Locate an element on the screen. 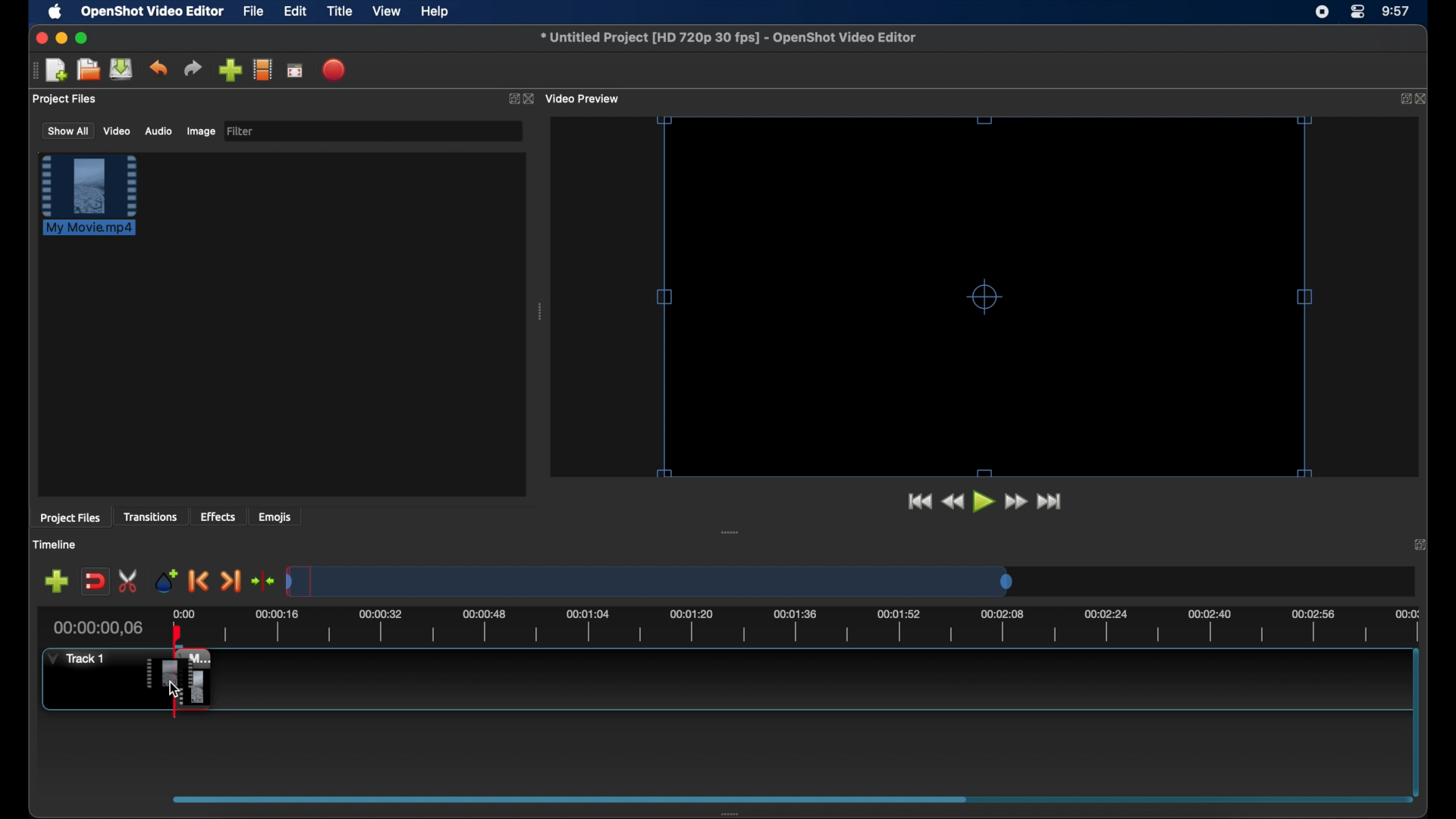  show all is located at coordinates (67, 130).